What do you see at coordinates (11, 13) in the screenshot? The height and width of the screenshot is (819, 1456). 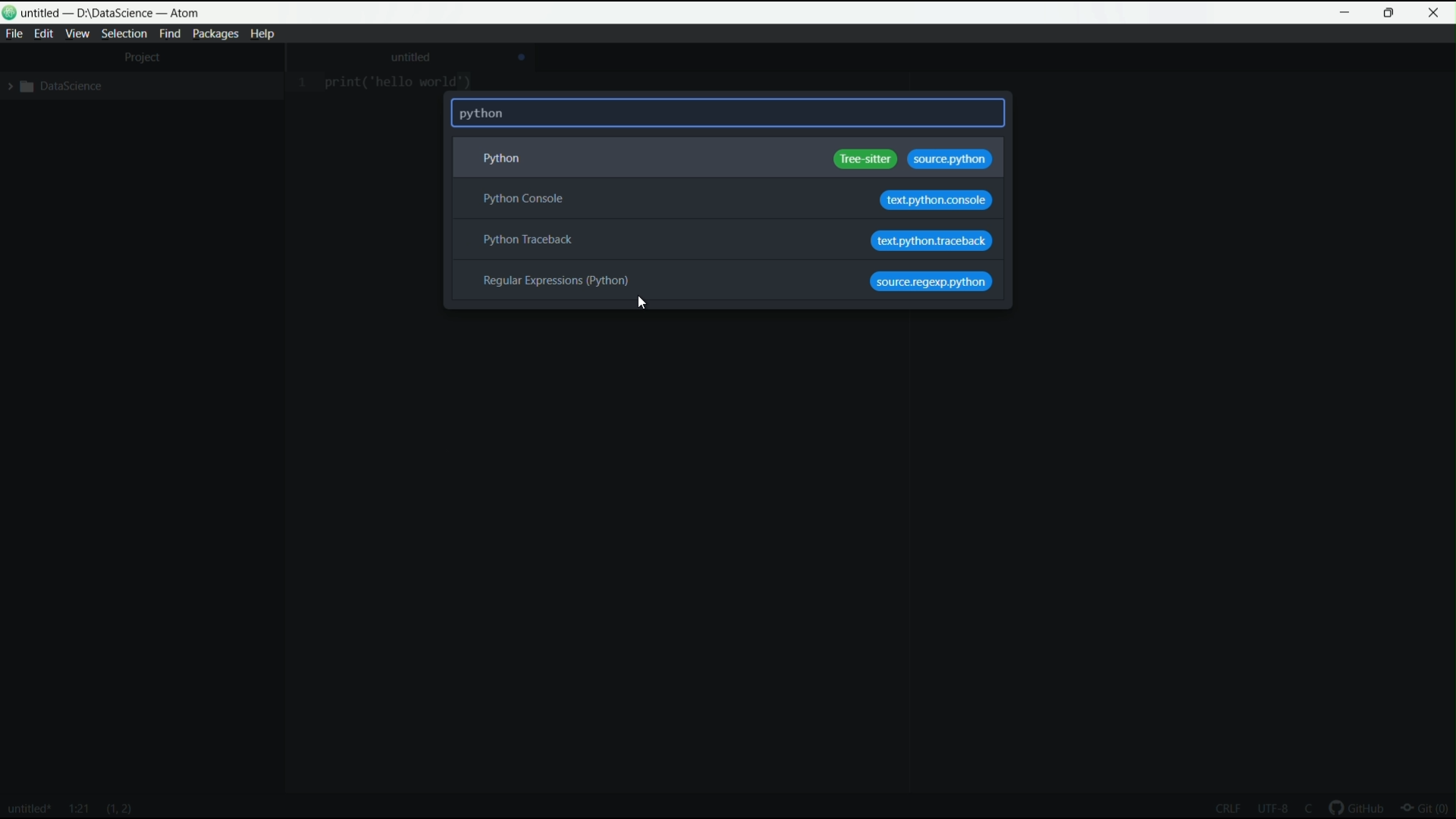 I see `logo` at bounding box center [11, 13].